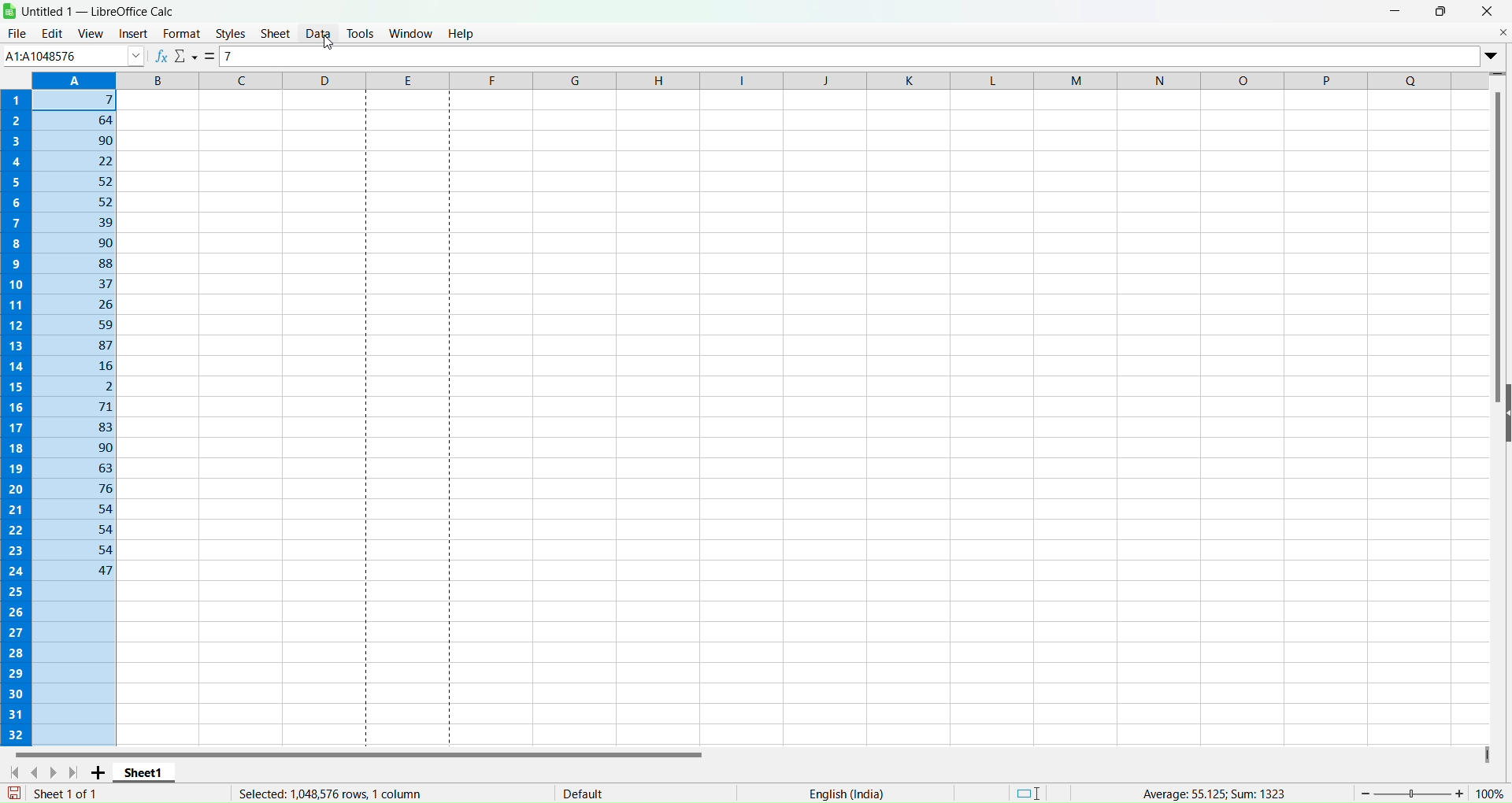 The width and height of the screenshot is (1512, 803). I want to click on Format, so click(182, 33).